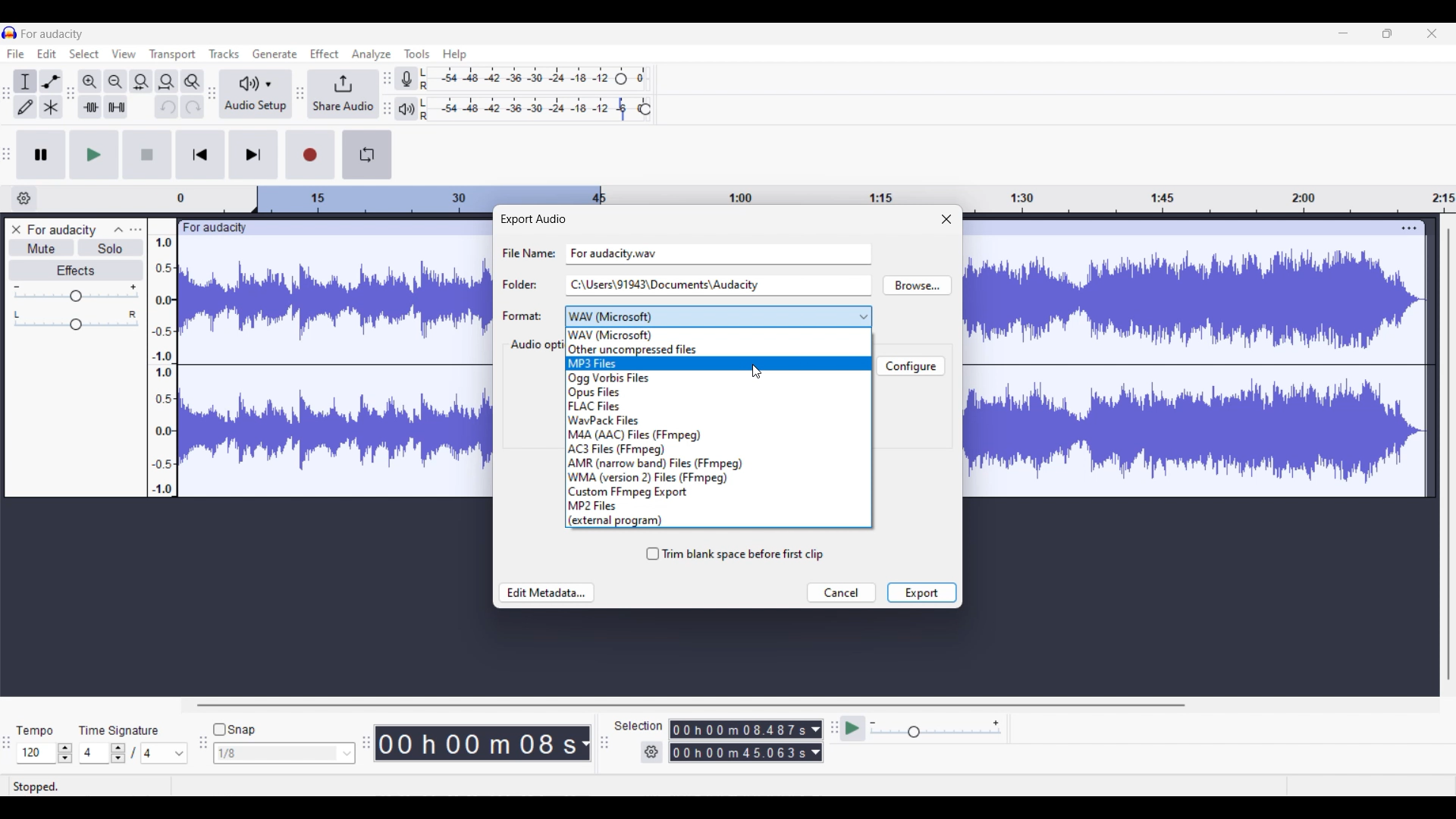  I want to click on Input time signature, so click(93, 753).